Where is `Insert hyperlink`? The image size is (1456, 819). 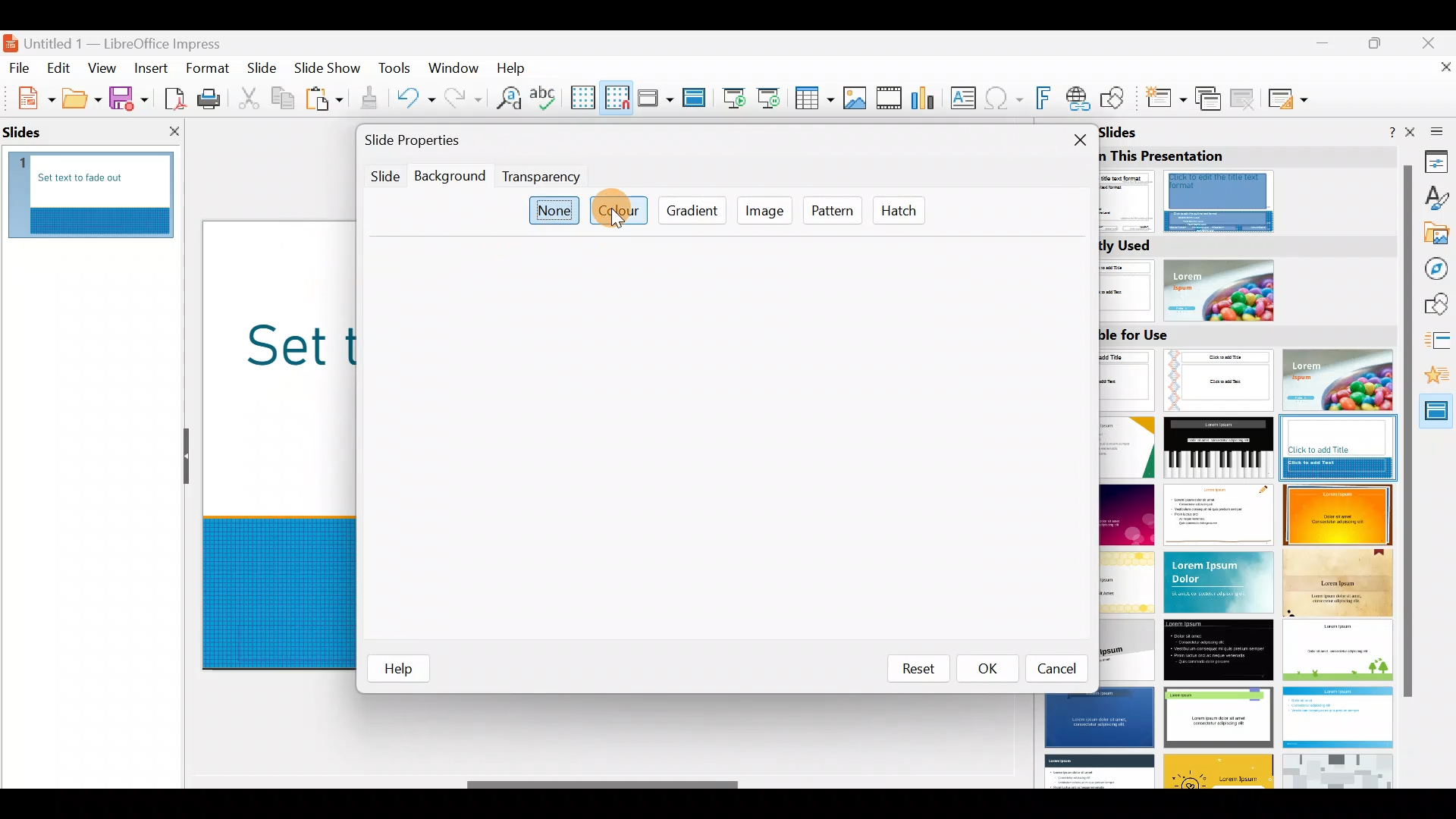
Insert hyperlink is located at coordinates (1079, 98).